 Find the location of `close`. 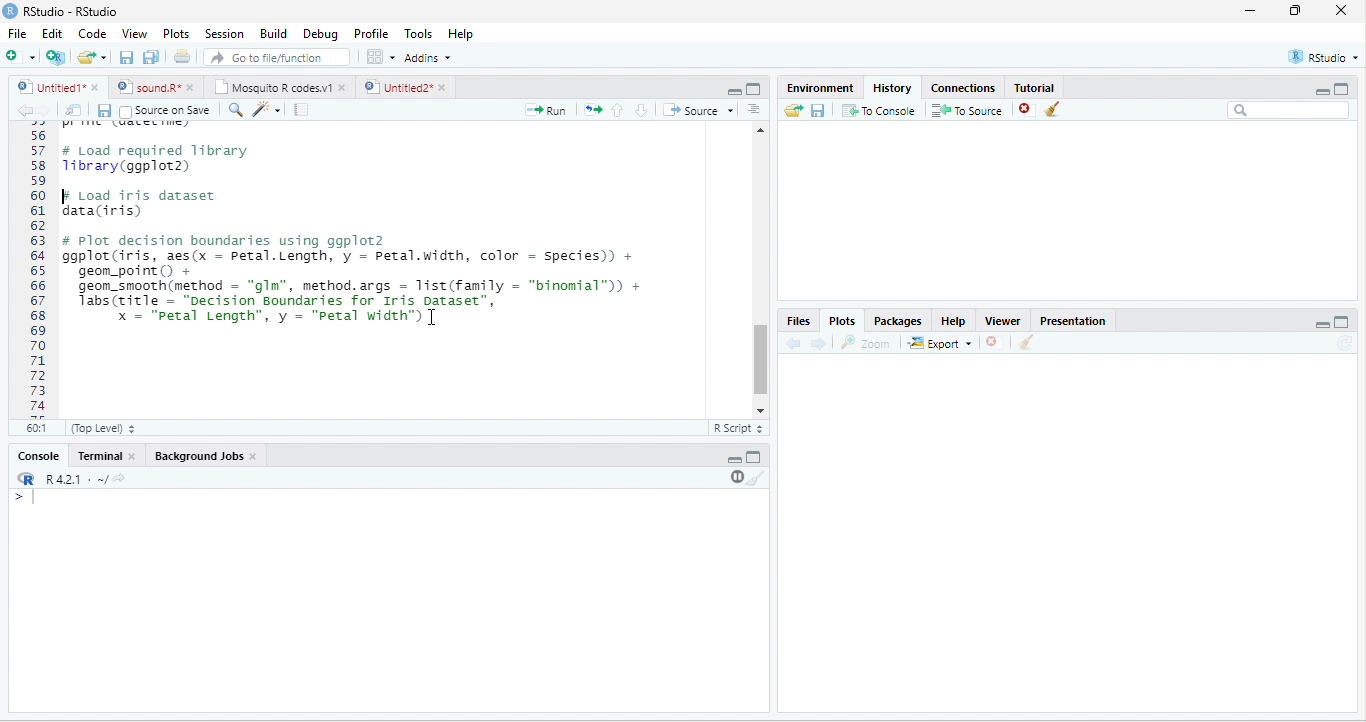

close is located at coordinates (134, 457).